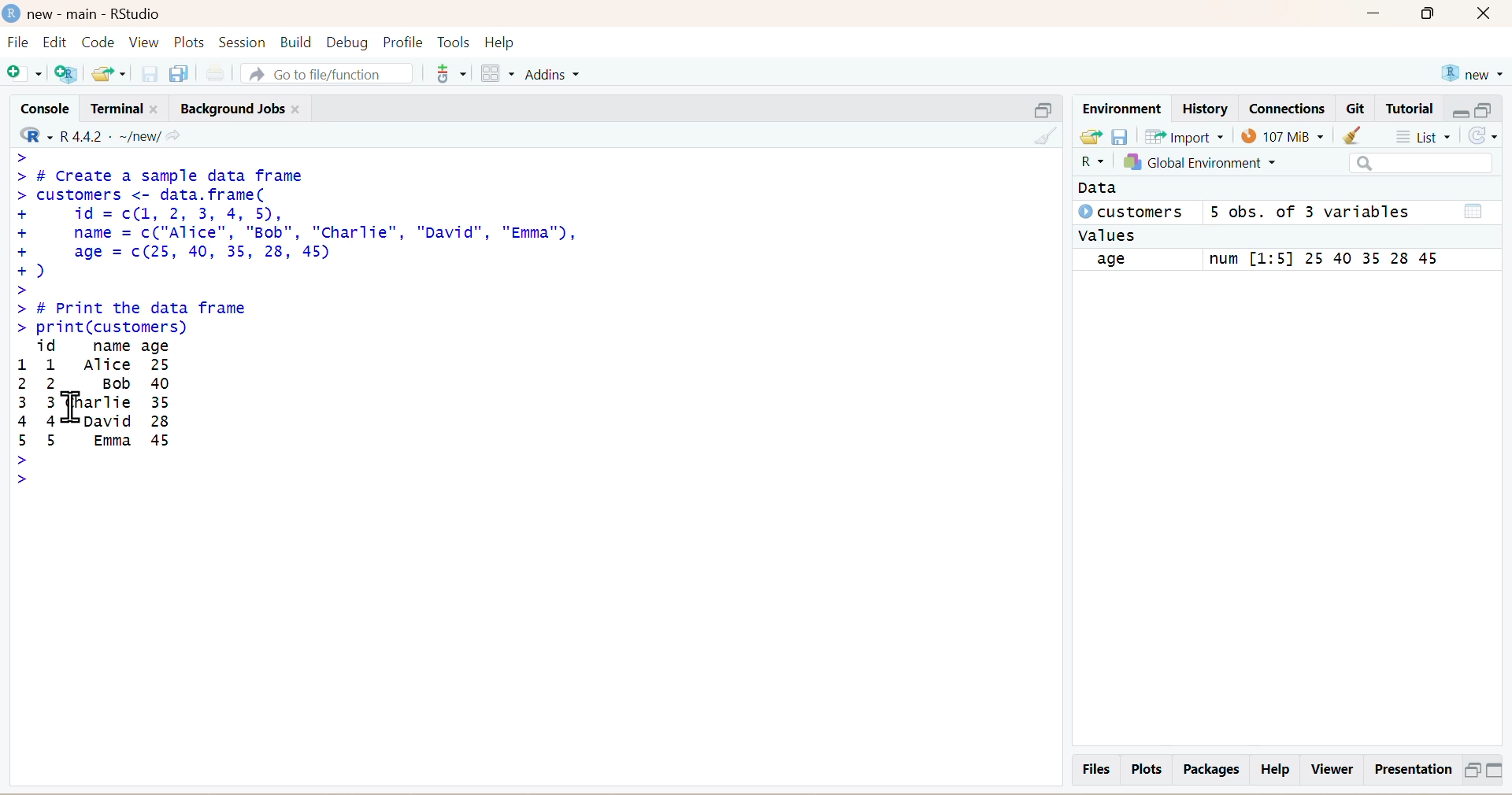 The width and height of the screenshot is (1512, 795). I want to click on Clear Console, so click(1042, 135).